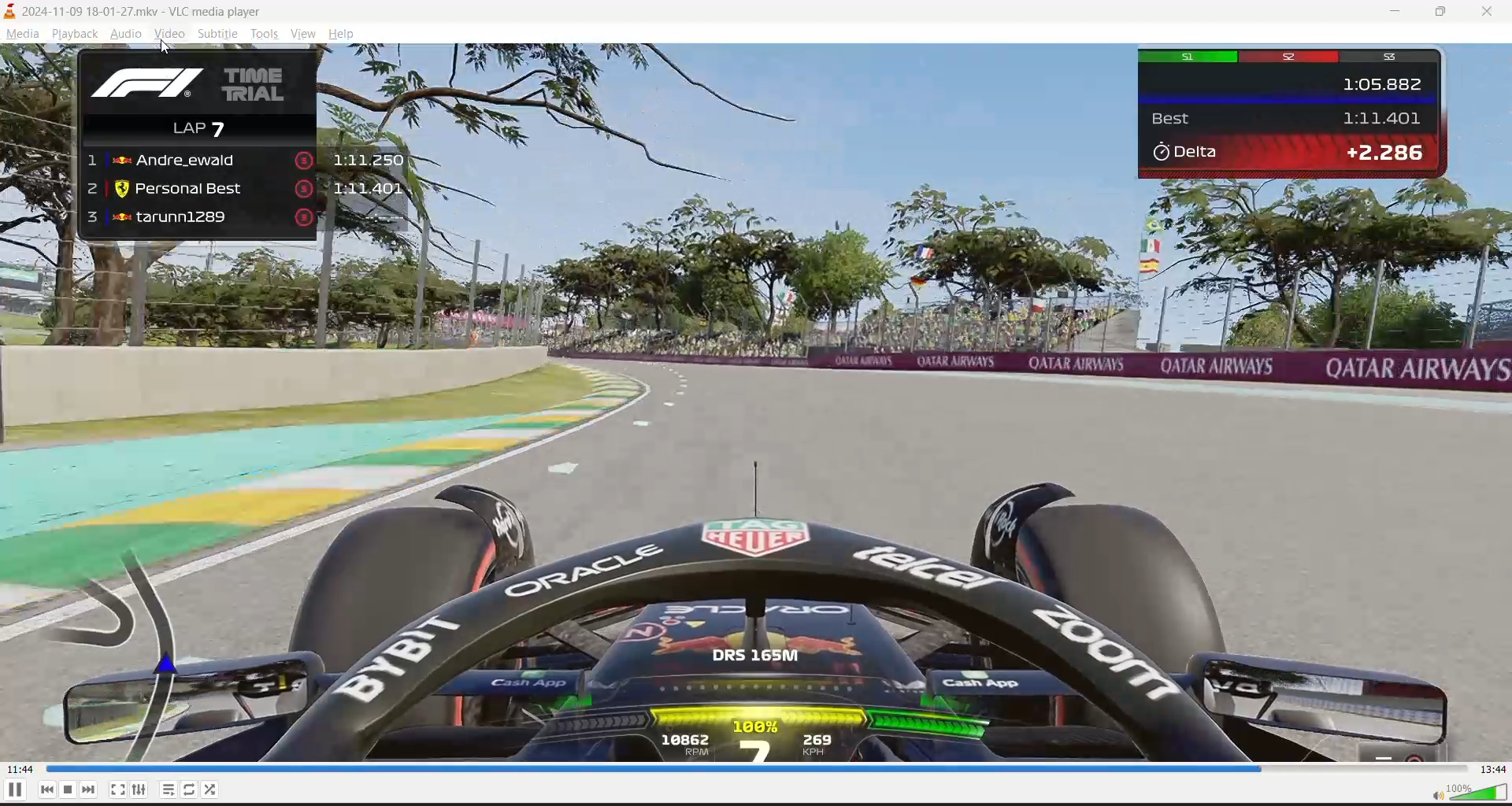 This screenshot has height=806, width=1512. I want to click on media, so click(22, 35).